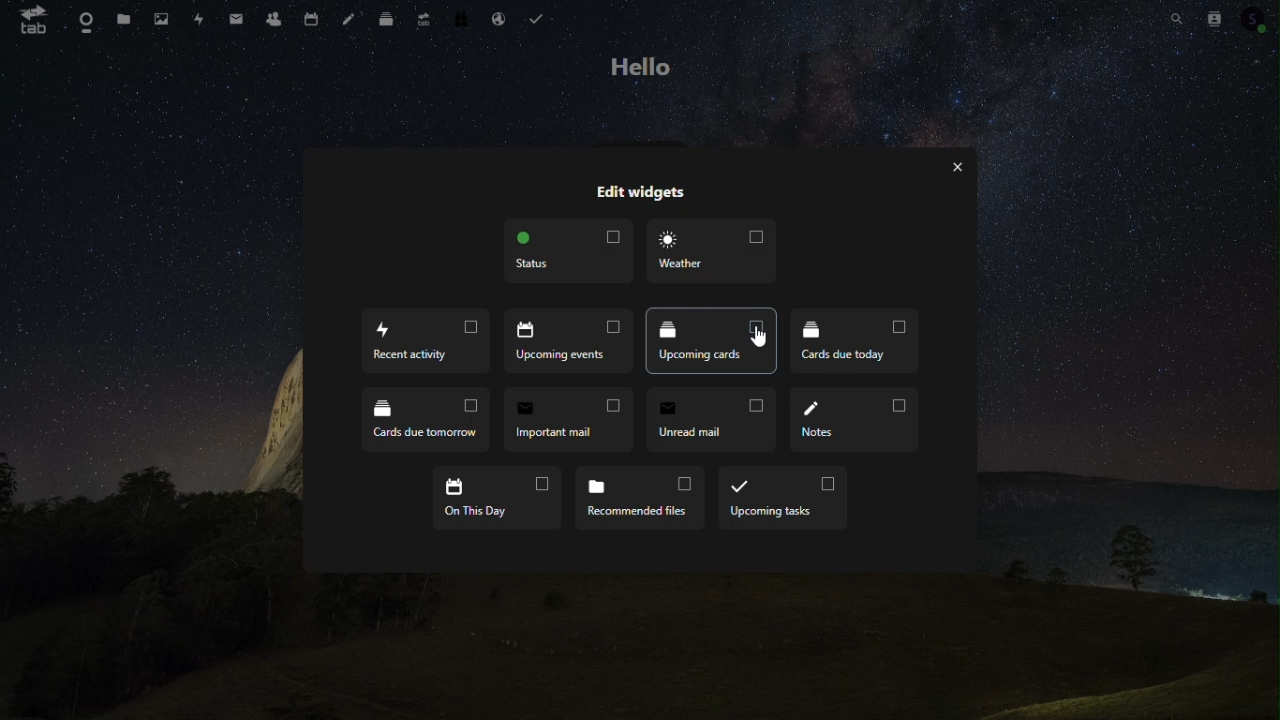 The width and height of the screenshot is (1280, 720). What do you see at coordinates (123, 18) in the screenshot?
I see `Files` at bounding box center [123, 18].